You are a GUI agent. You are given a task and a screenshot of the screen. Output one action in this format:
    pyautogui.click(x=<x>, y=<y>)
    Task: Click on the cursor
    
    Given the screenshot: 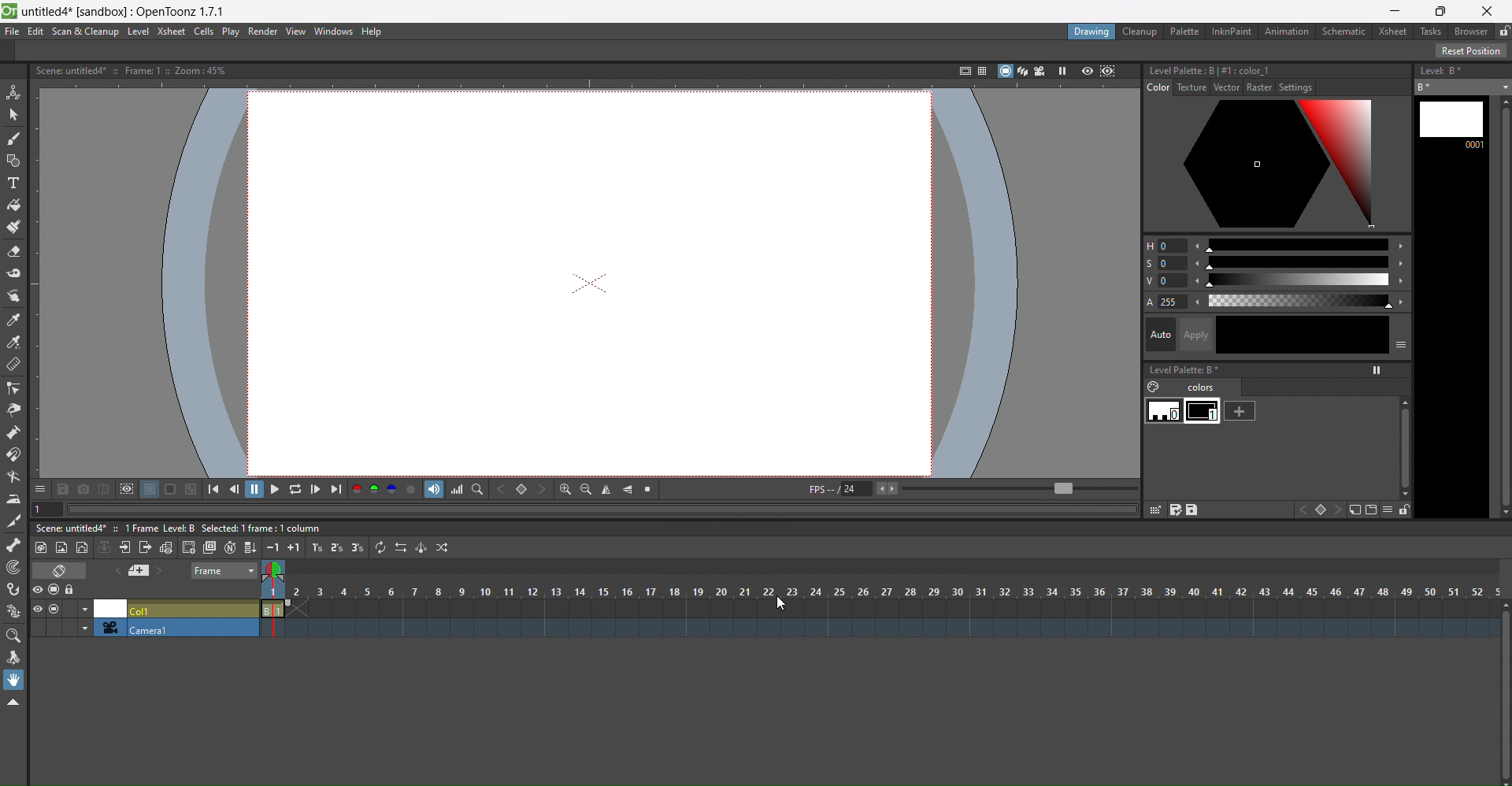 What is the action you would take?
    pyautogui.click(x=784, y=605)
    